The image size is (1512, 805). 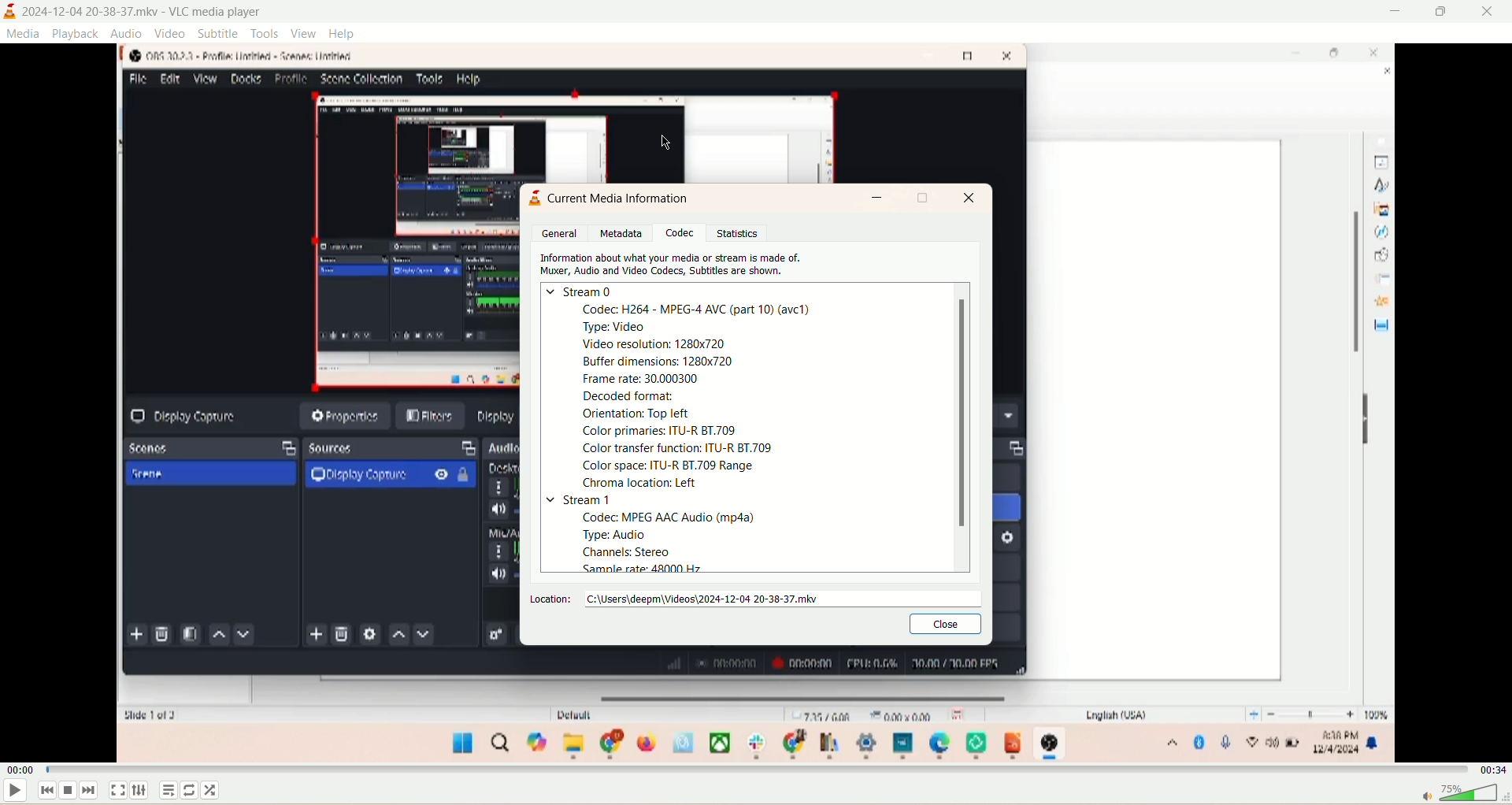 I want to click on played time, so click(x=20, y=770).